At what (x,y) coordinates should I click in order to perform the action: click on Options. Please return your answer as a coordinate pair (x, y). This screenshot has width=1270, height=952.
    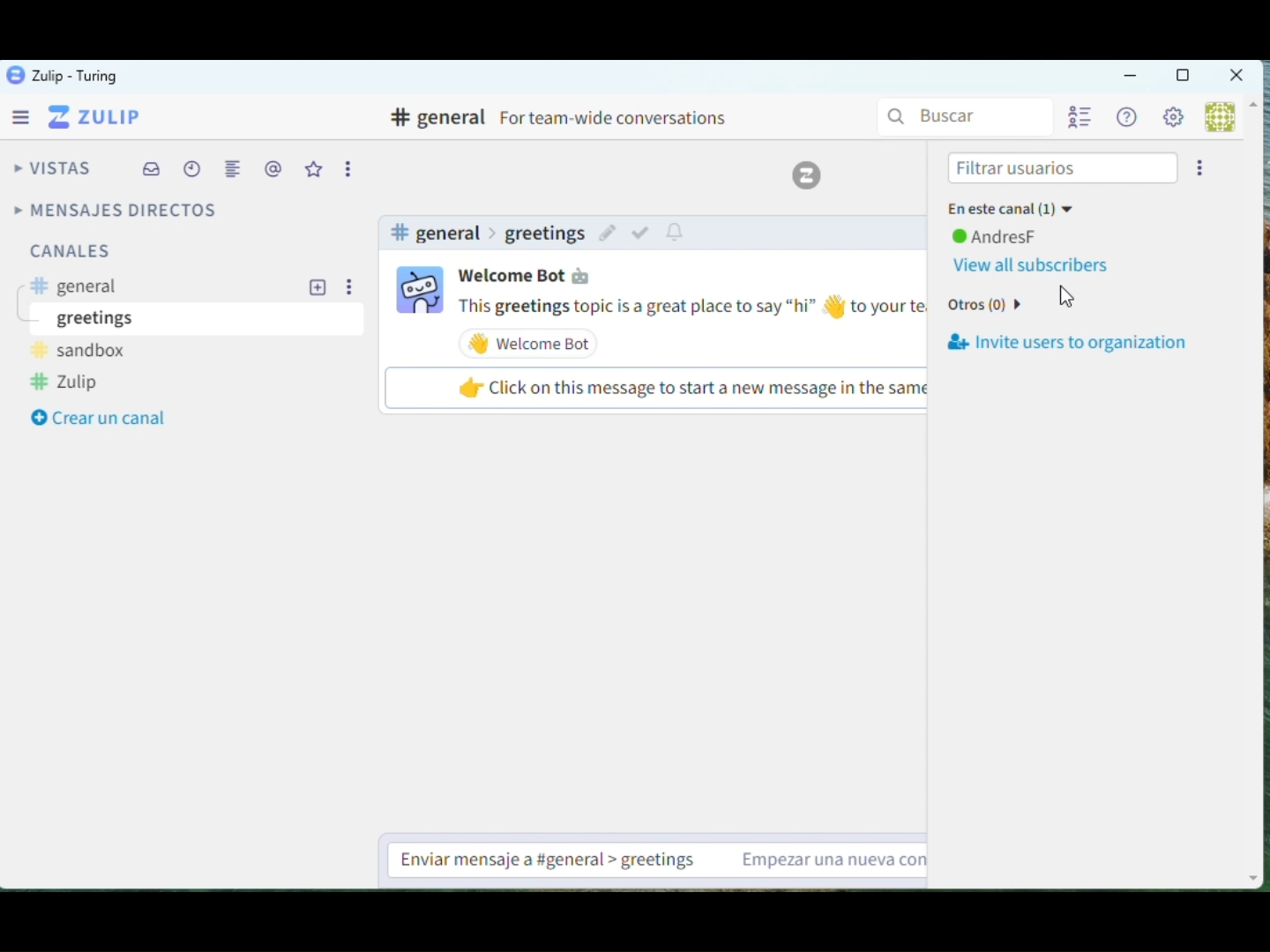
    Looking at the image, I should click on (350, 168).